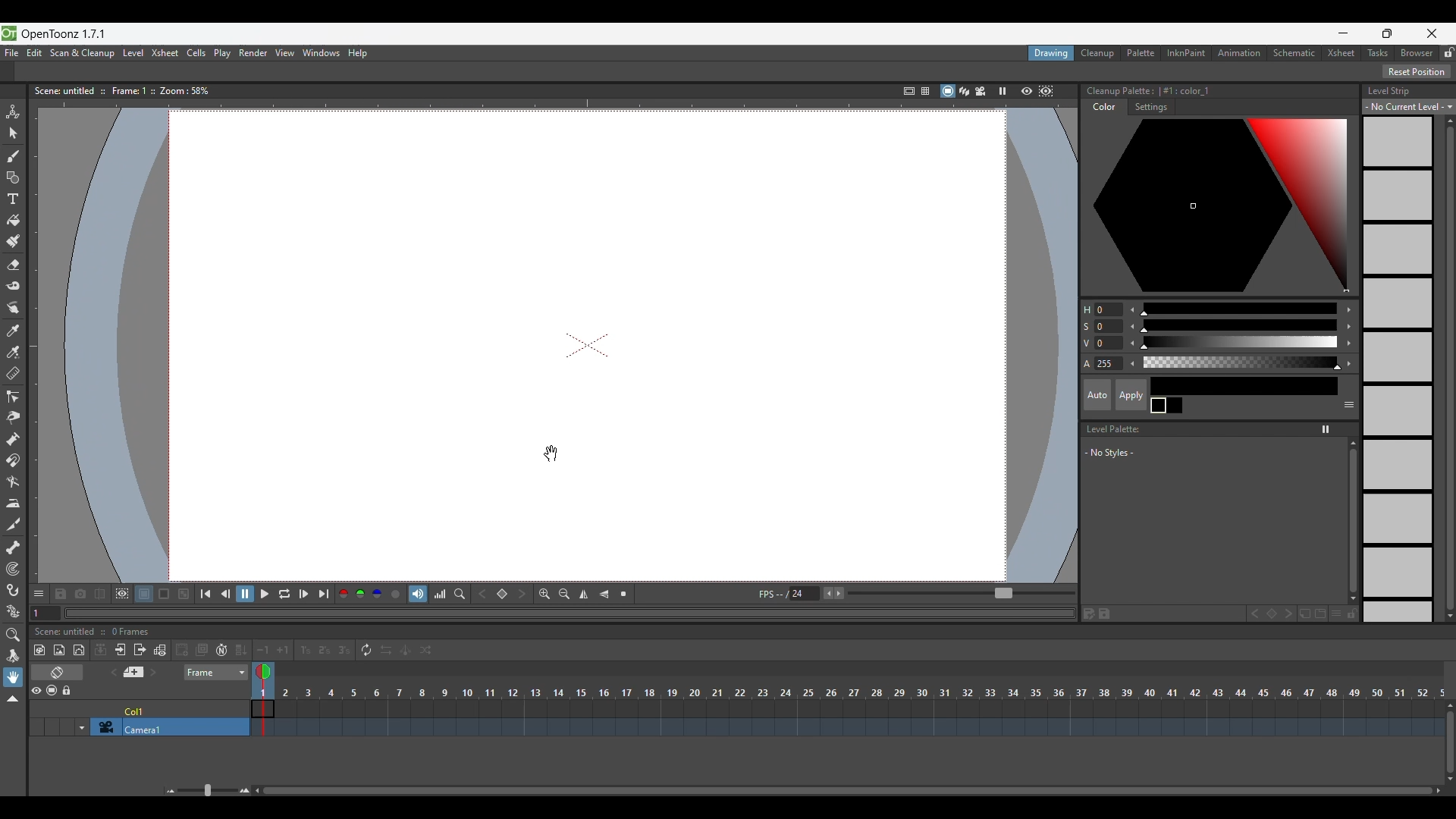  What do you see at coordinates (133, 672) in the screenshot?
I see `Add new memo` at bounding box center [133, 672].